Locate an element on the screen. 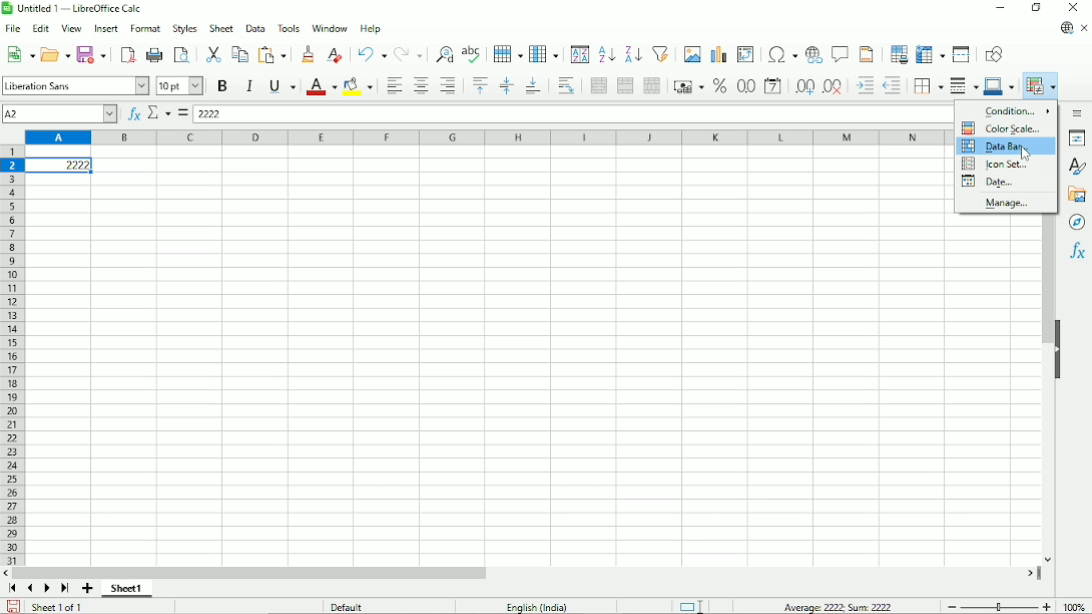 The height and width of the screenshot is (614, 1092). Insert comment is located at coordinates (838, 54).